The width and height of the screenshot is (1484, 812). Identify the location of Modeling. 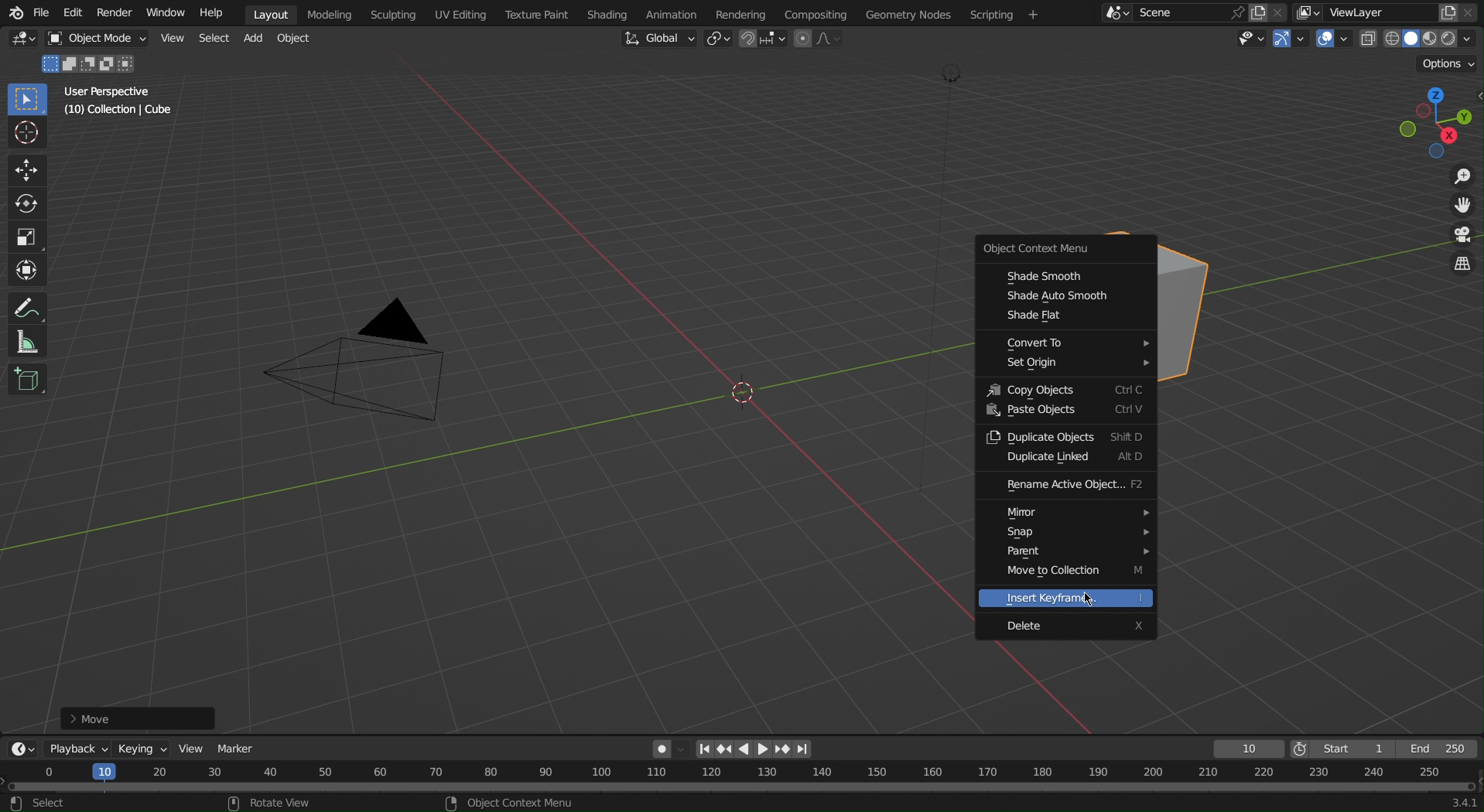
(333, 12).